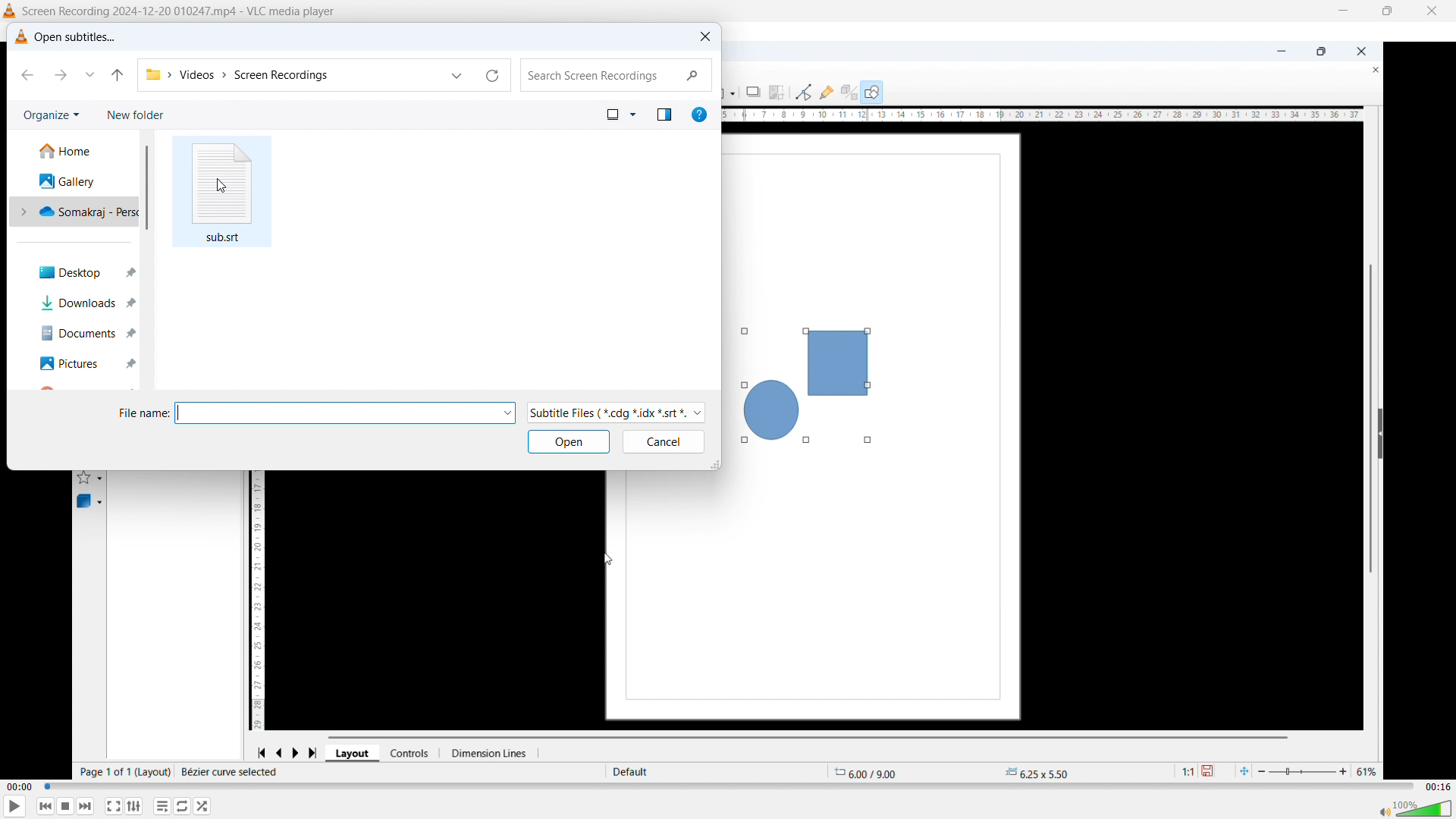 This screenshot has height=819, width=1456. I want to click on Time bar , so click(730, 787).